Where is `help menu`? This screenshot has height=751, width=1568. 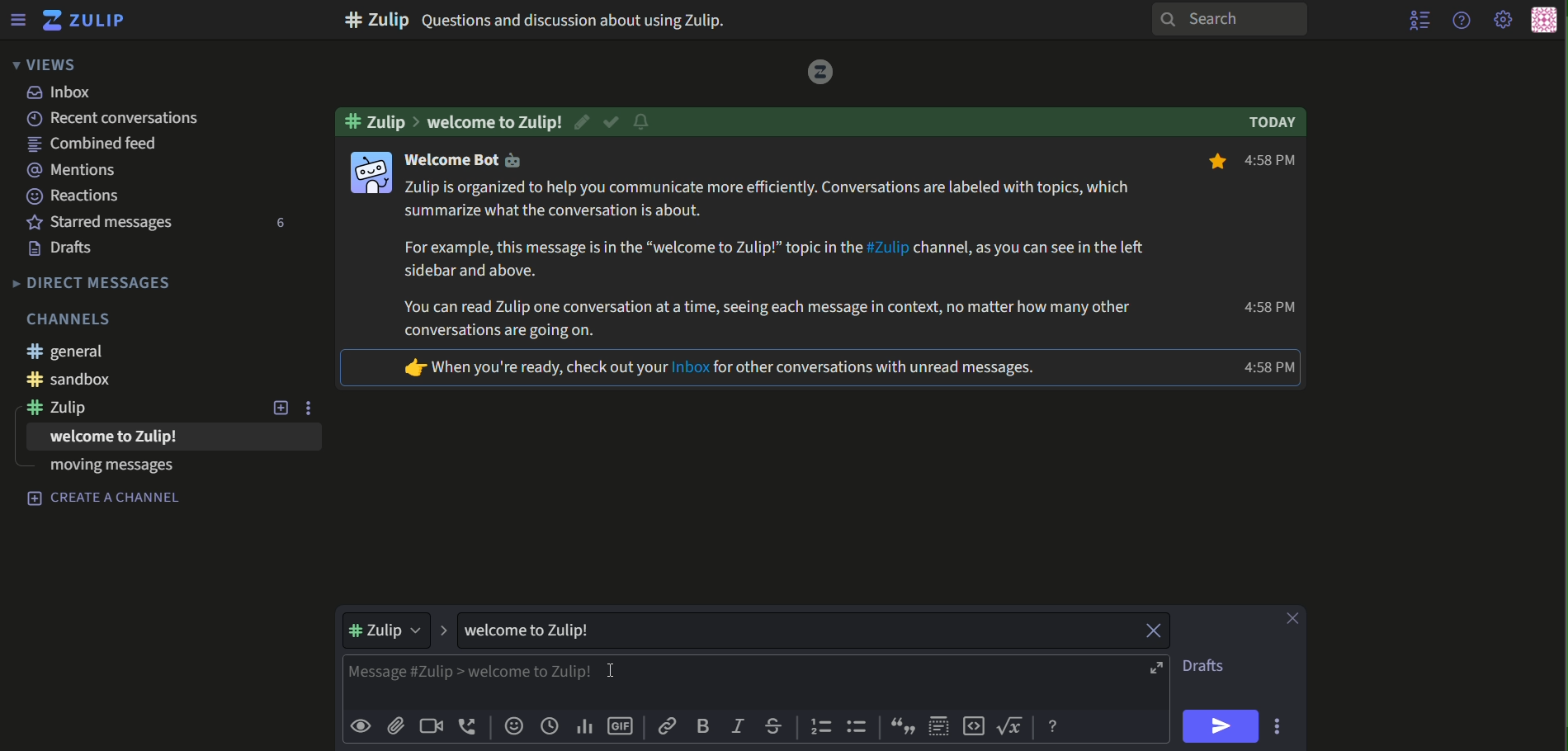
help menu is located at coordinates (1460, 19).